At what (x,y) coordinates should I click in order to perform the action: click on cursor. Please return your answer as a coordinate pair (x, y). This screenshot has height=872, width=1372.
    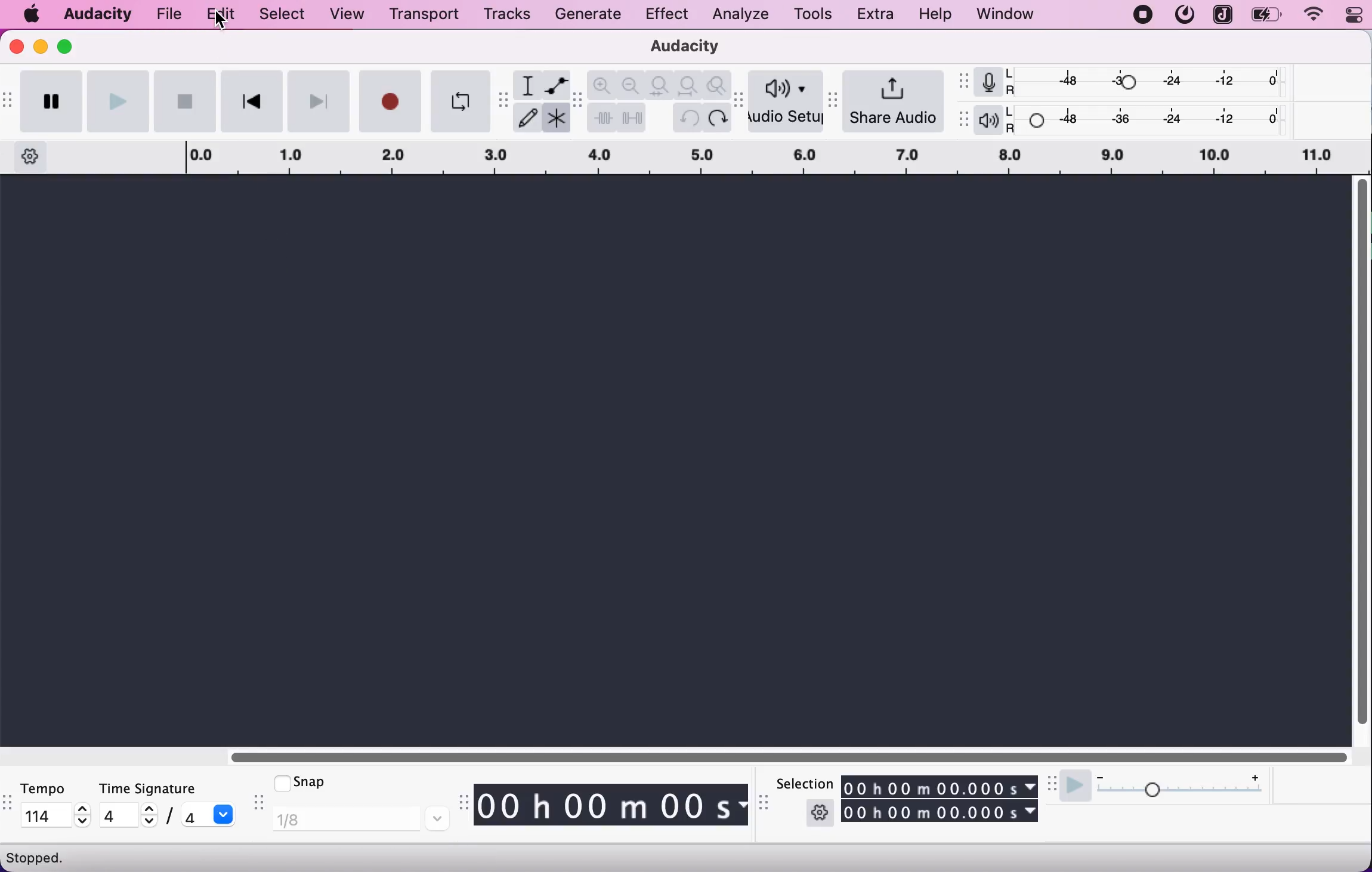
    Looking at the image, I should click on (221, 23).